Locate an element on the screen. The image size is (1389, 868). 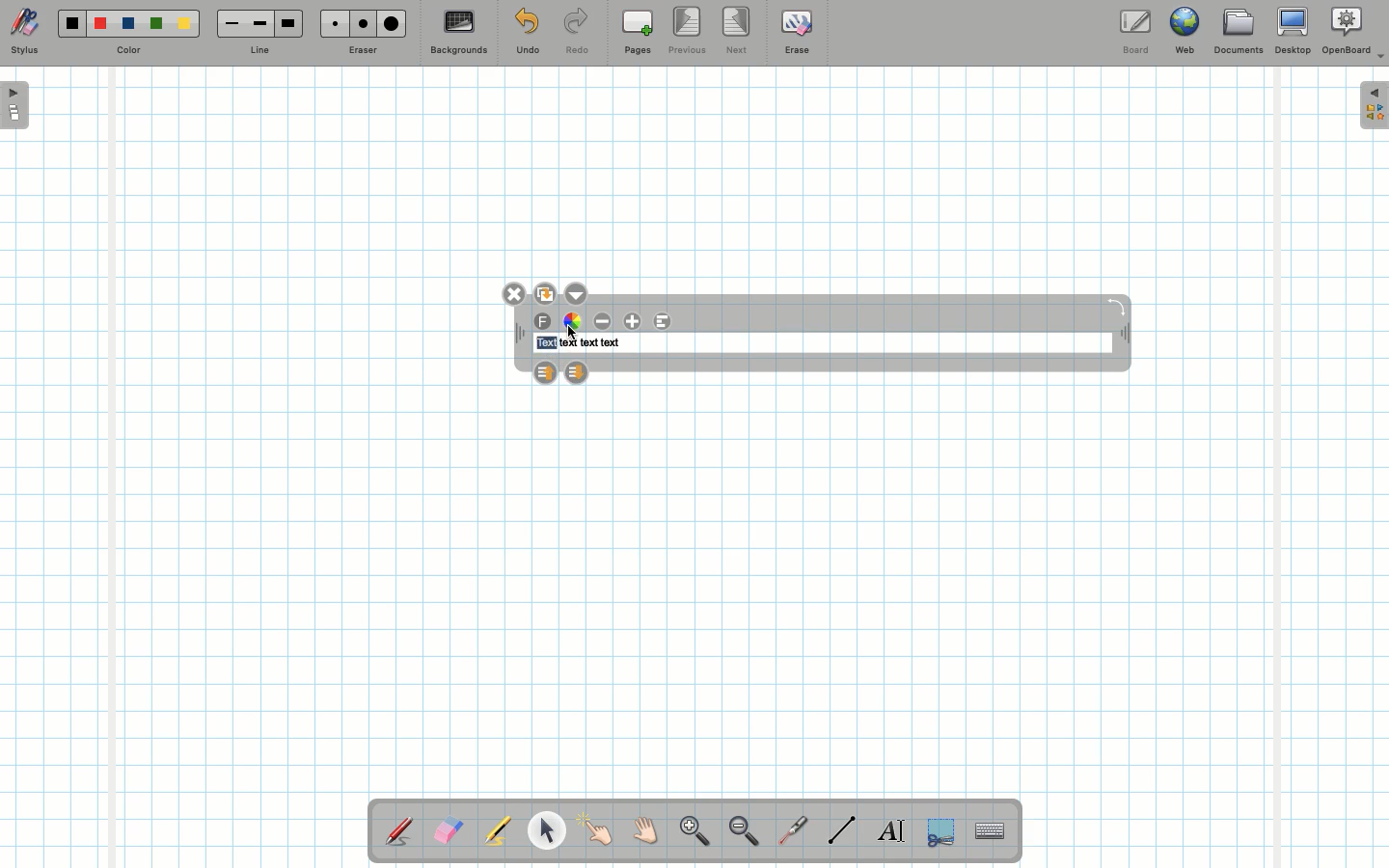
Grab is located at coordinates (646, 833).